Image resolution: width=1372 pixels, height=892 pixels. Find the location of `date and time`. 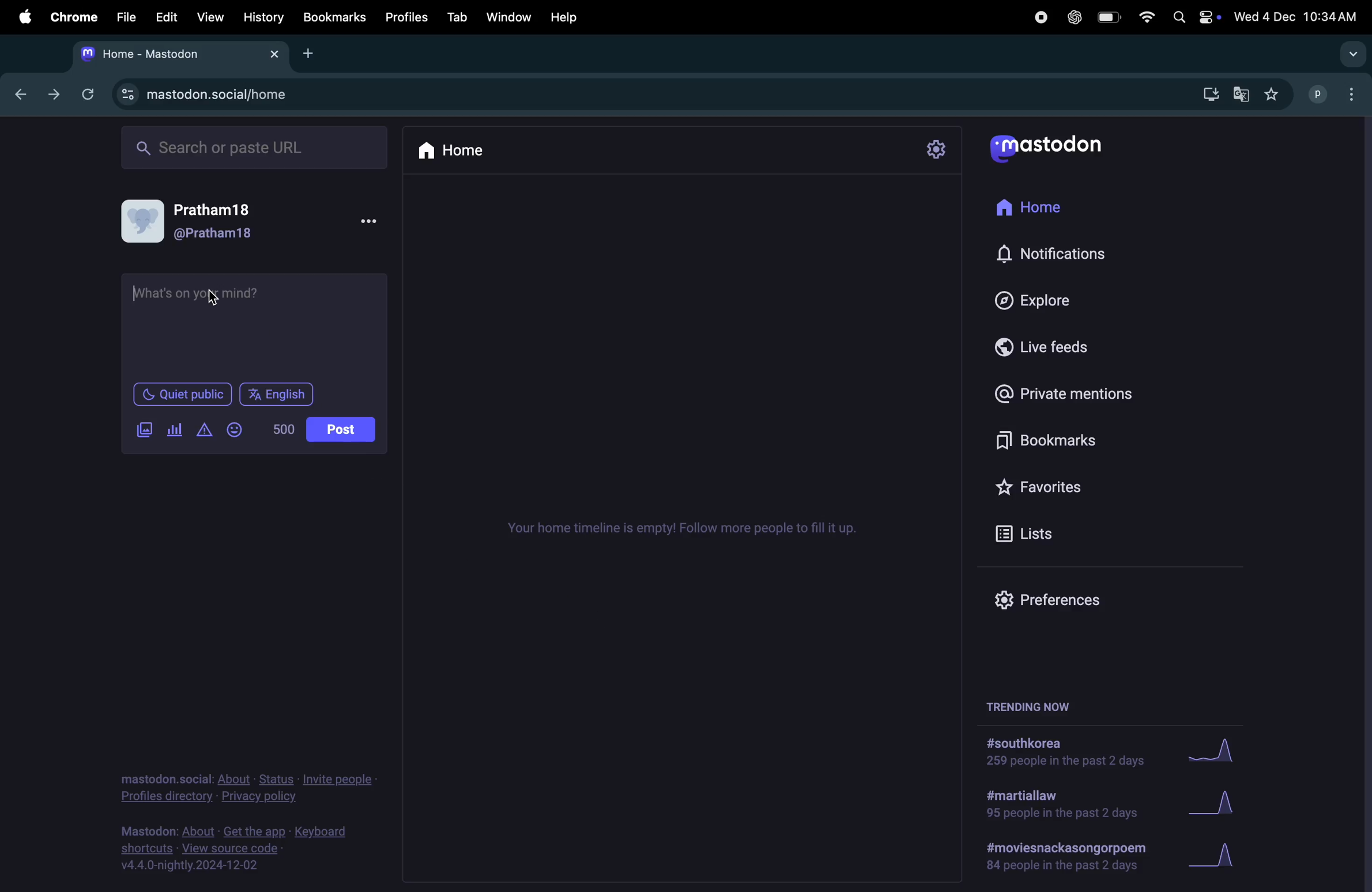

date and time is located at coordinates (1297, 14).